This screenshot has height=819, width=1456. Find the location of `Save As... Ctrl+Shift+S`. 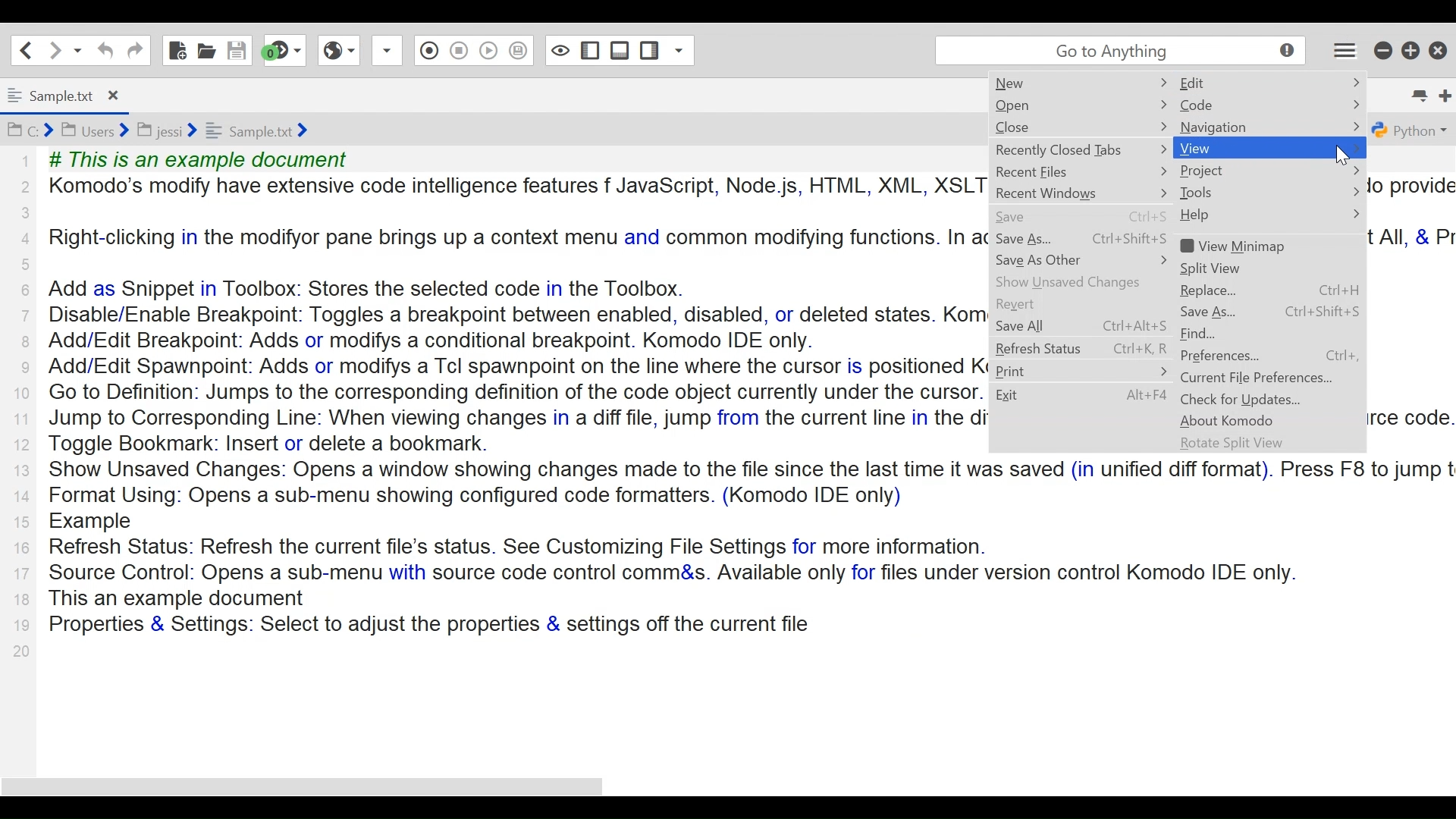

Save As... Ctrl+Shift+S is located at coordinates (1271, 312).